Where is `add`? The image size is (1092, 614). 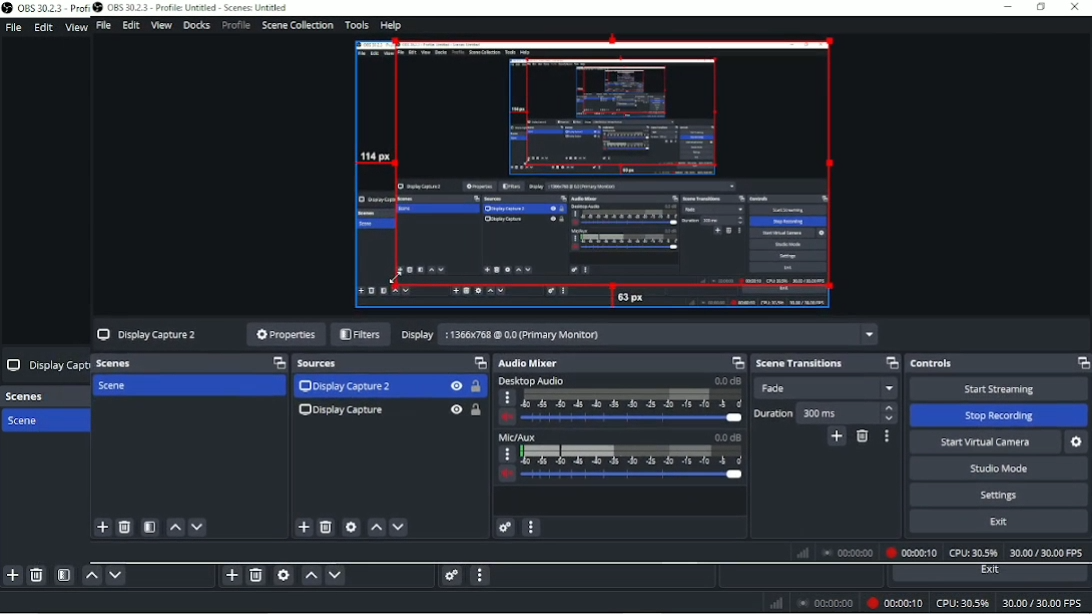
add is located at coordinates (101, 528).